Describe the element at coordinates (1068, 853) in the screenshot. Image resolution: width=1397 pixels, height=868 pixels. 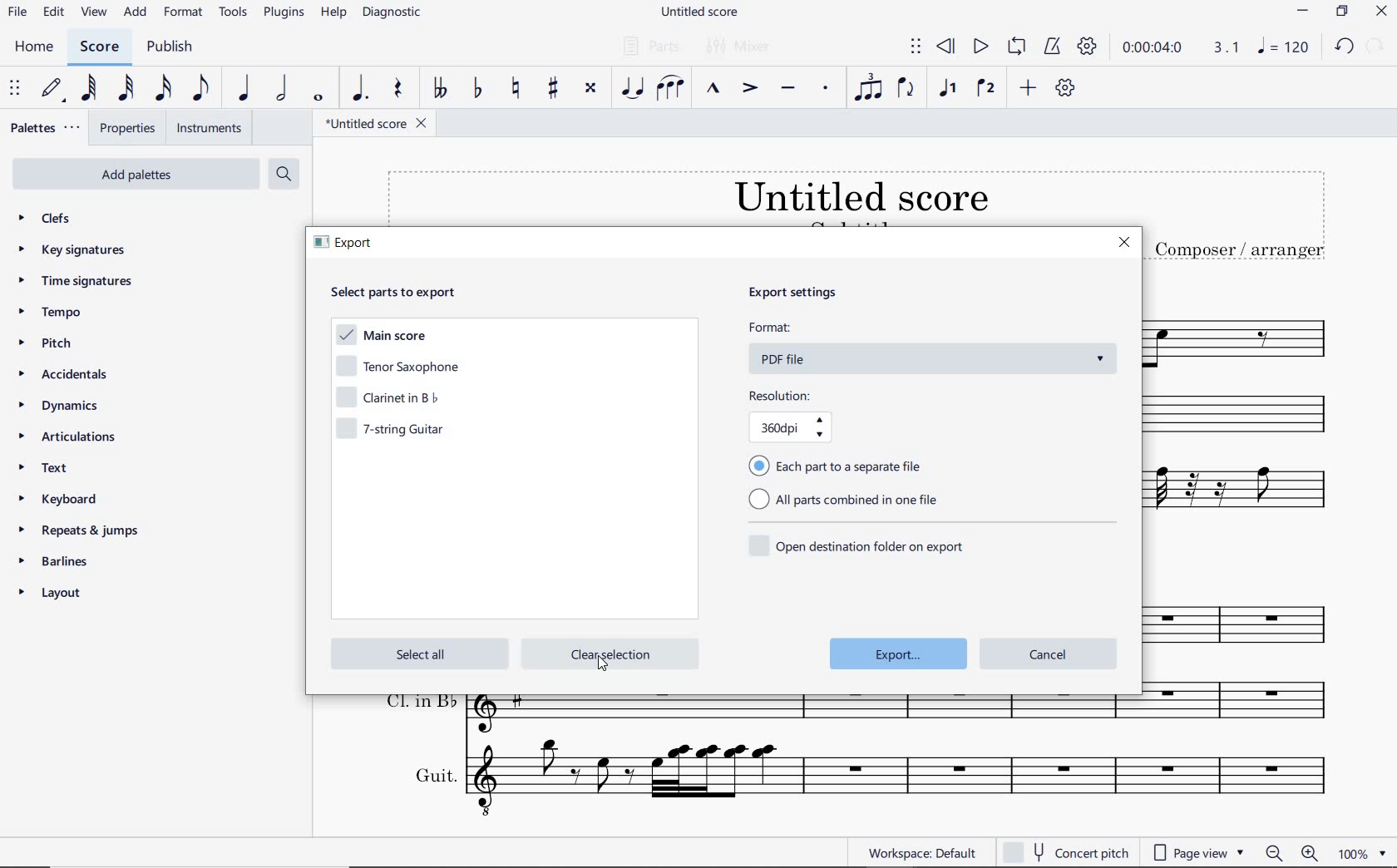
I see `concert pitch` at that location.